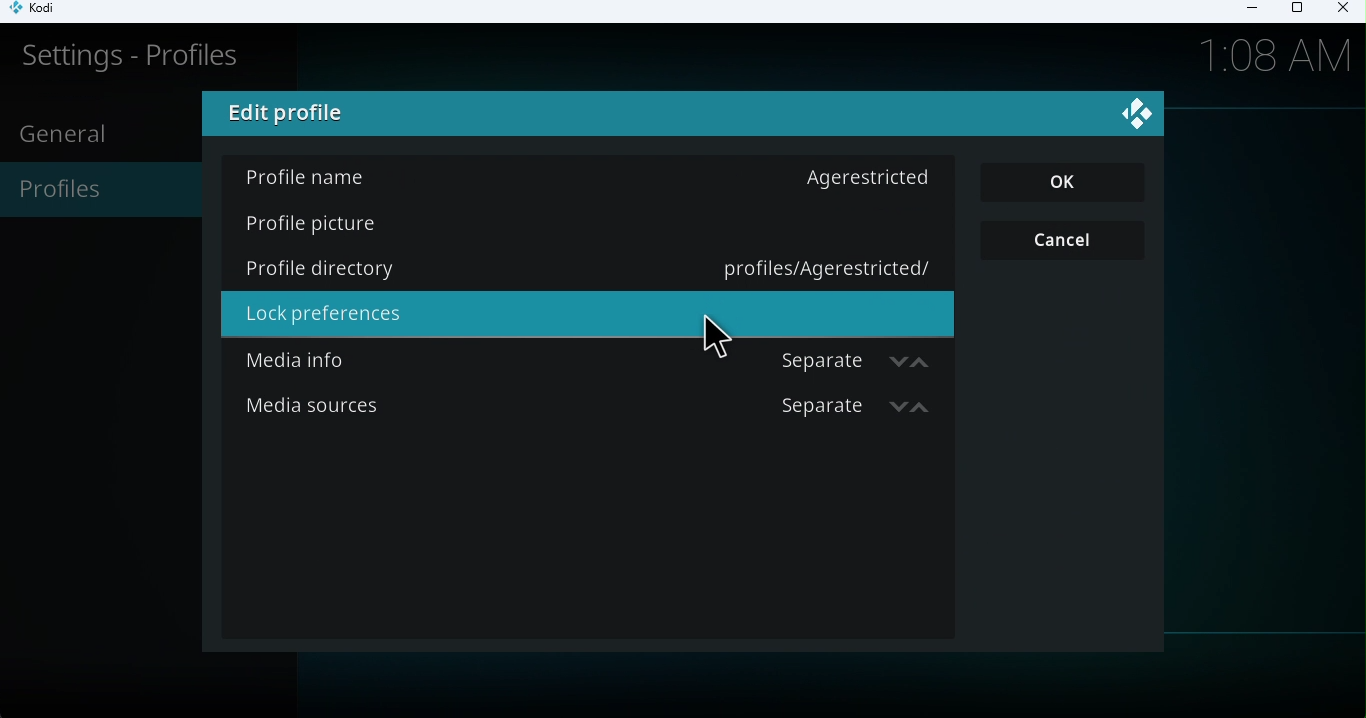  I want to click on 1.08Am, so click(1277, 53).